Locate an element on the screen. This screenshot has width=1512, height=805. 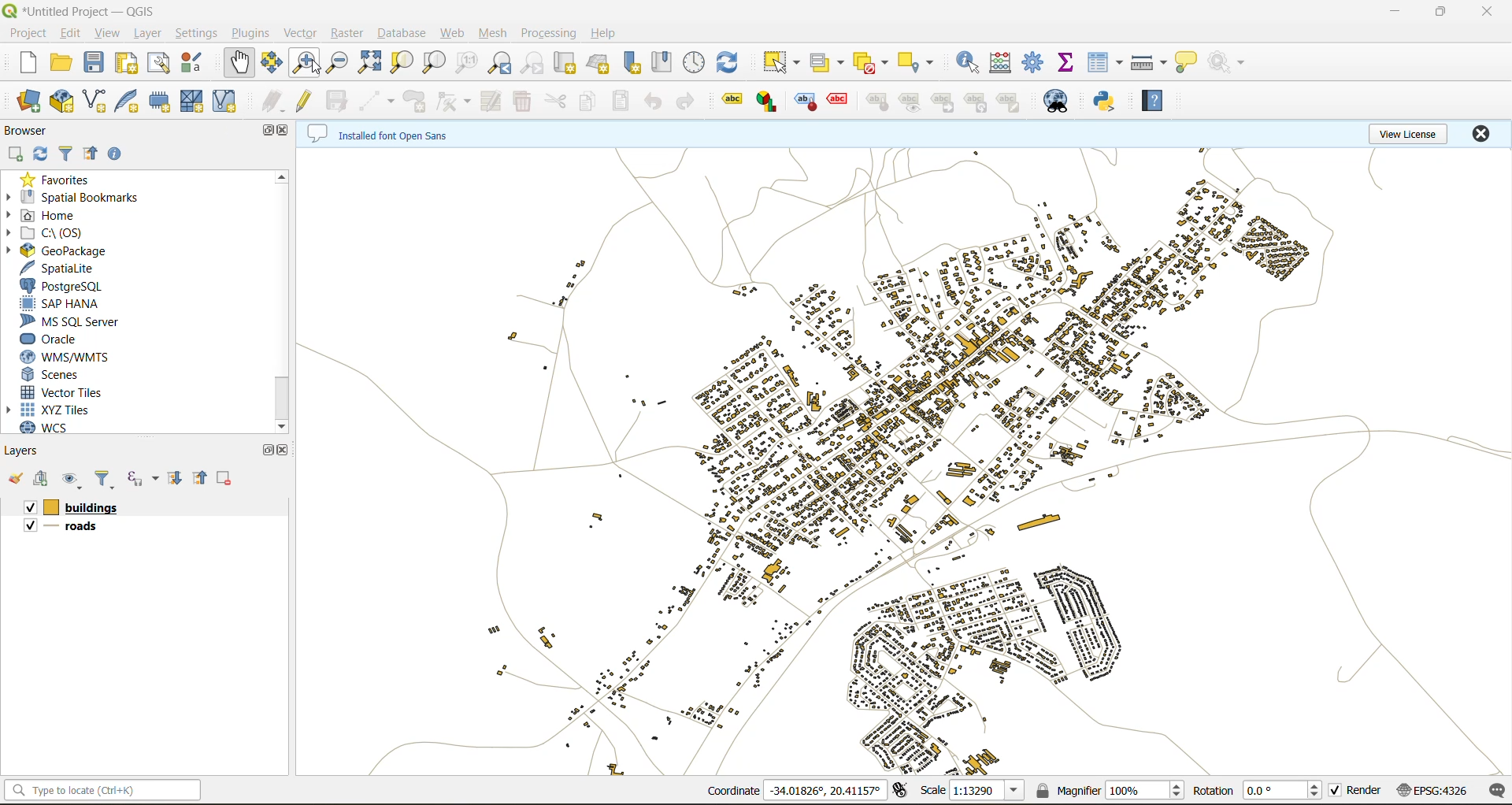
digitize is located at coordinates (376, 100).